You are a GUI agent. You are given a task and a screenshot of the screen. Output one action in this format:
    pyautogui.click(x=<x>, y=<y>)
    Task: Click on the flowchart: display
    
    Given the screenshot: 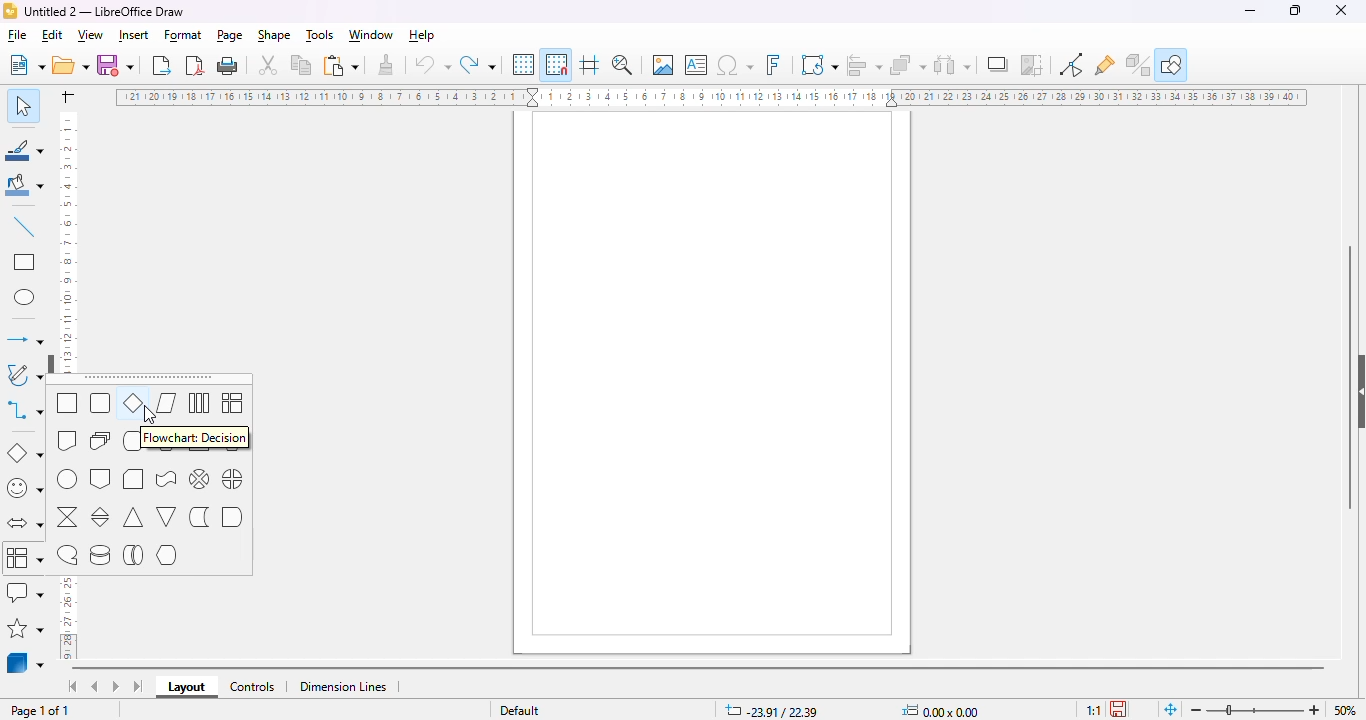 What is the action you would take?
    pyautogui.click(x=166, y=556)
    